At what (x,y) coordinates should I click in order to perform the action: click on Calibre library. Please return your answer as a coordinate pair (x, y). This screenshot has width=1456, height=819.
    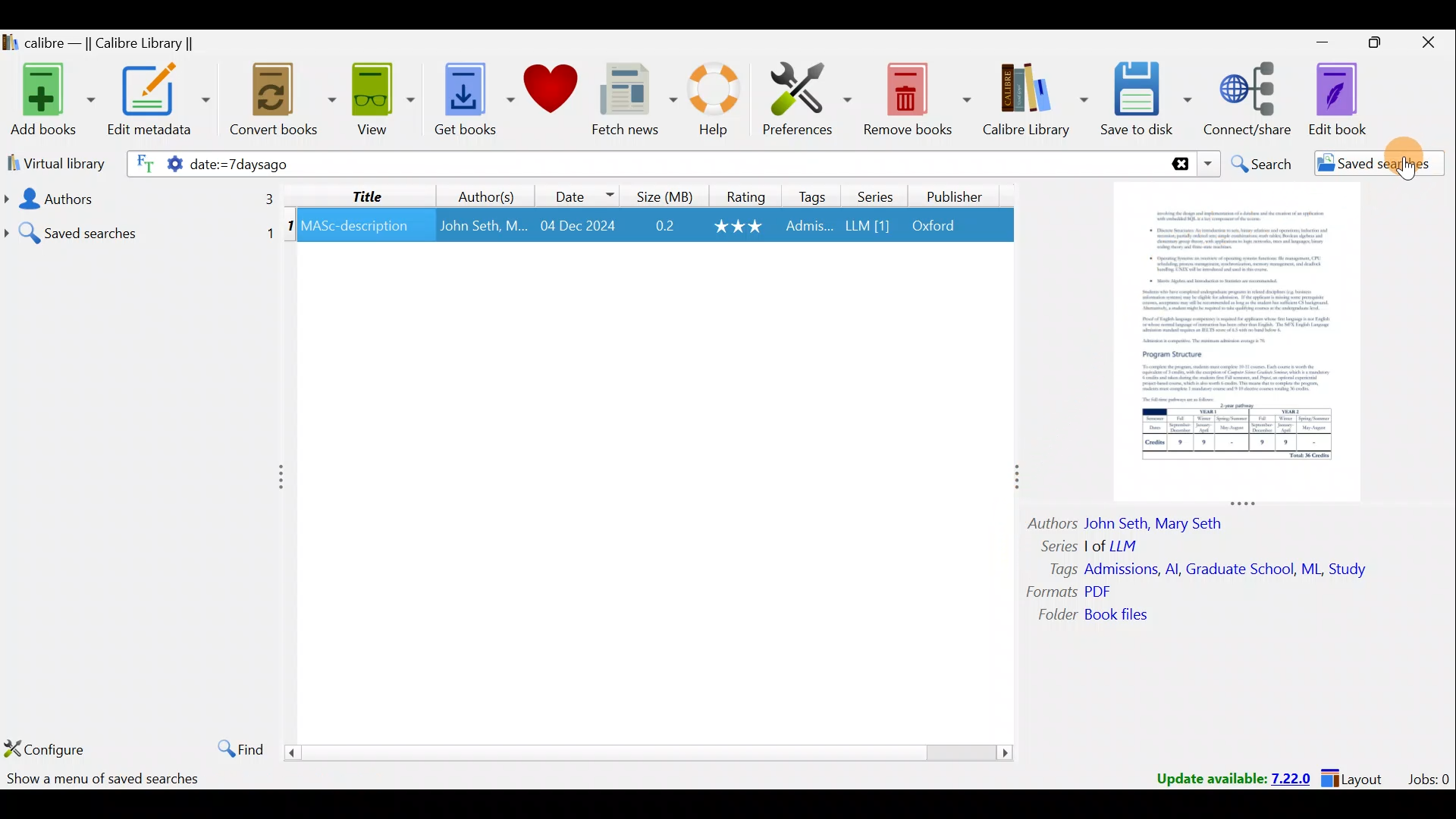
    Looking at the image, I should click on (1037, 101).